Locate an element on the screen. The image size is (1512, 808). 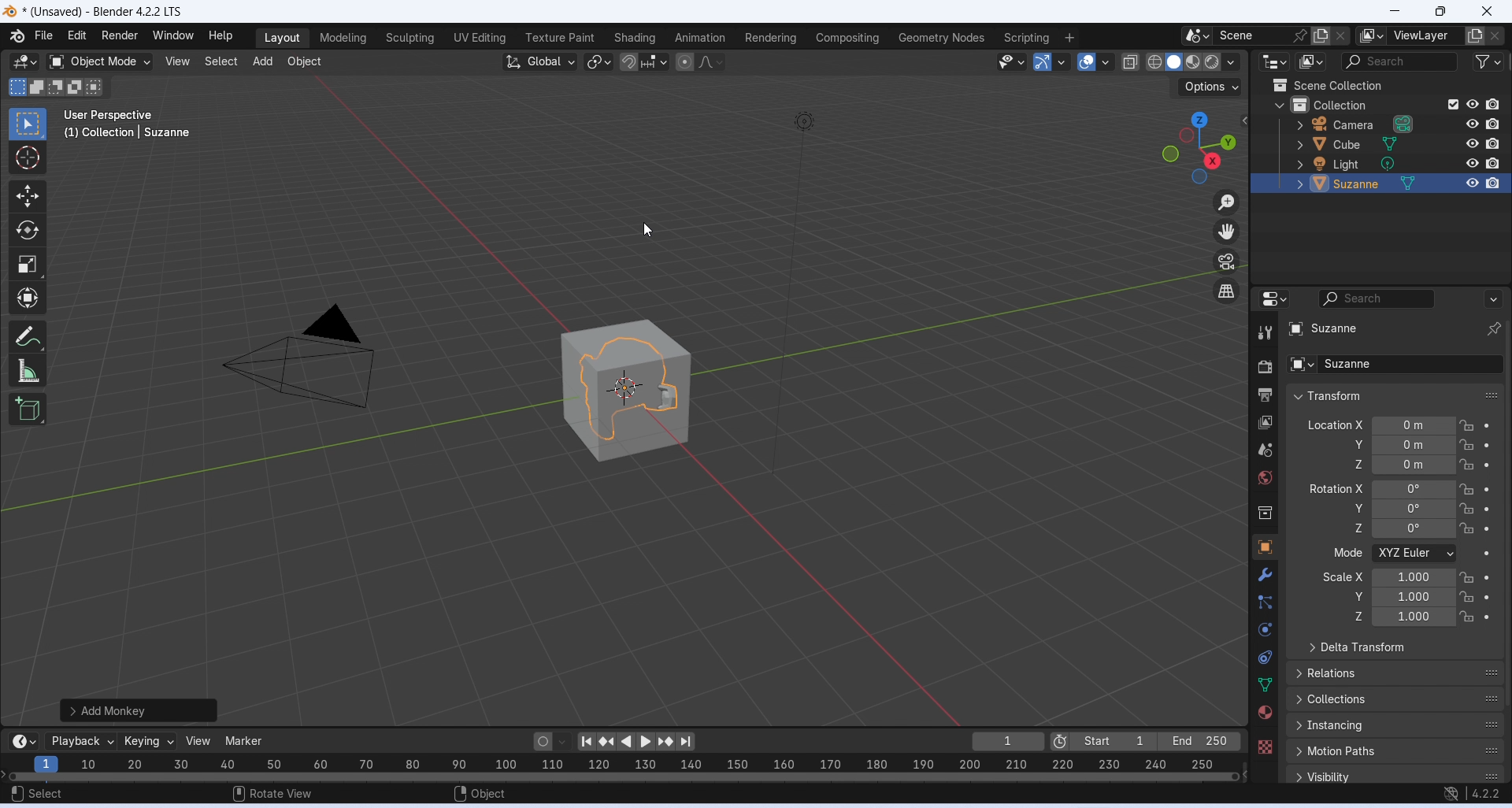
snapping is located at coordinates (654, 61).